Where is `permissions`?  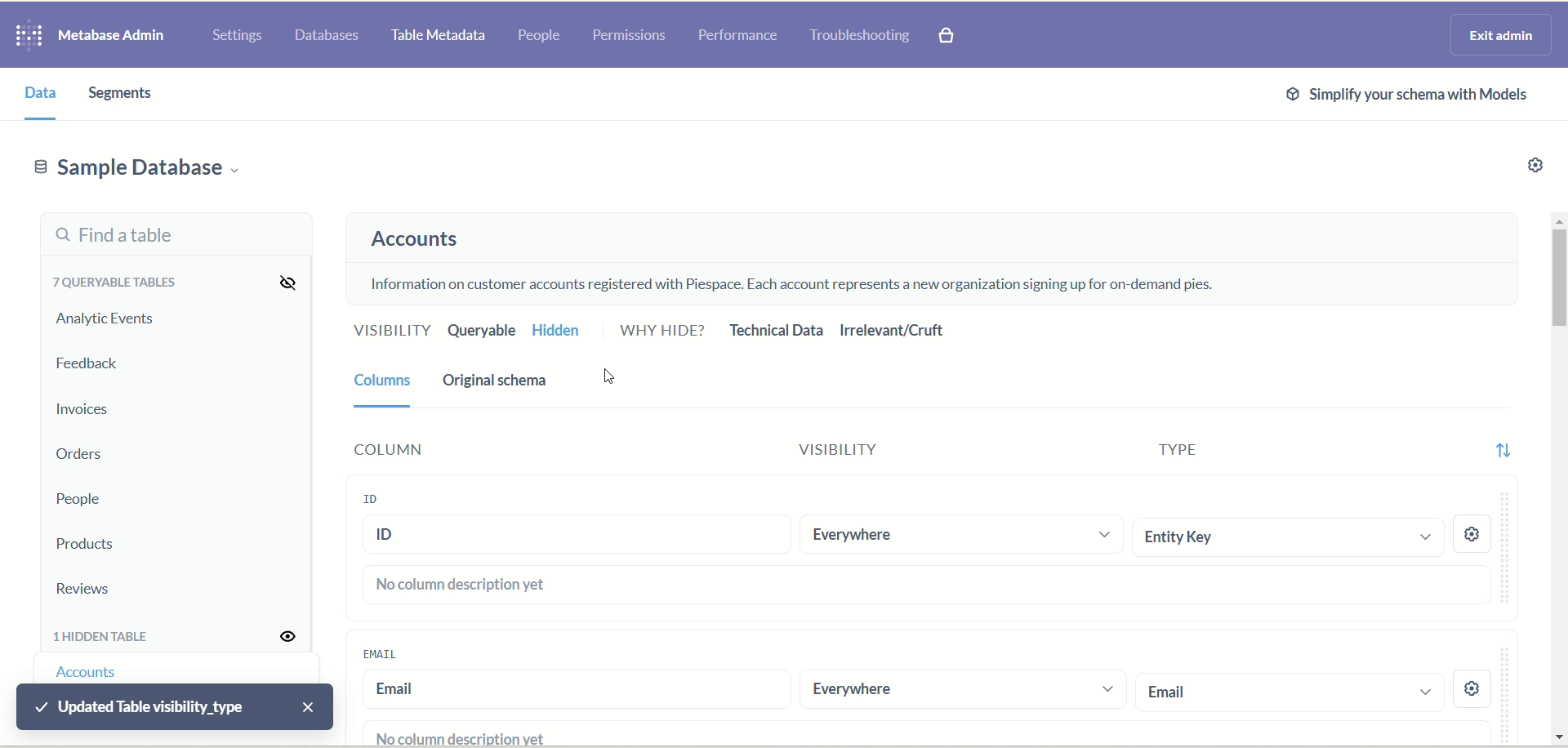 permissions is located at coordinates (630, 35).